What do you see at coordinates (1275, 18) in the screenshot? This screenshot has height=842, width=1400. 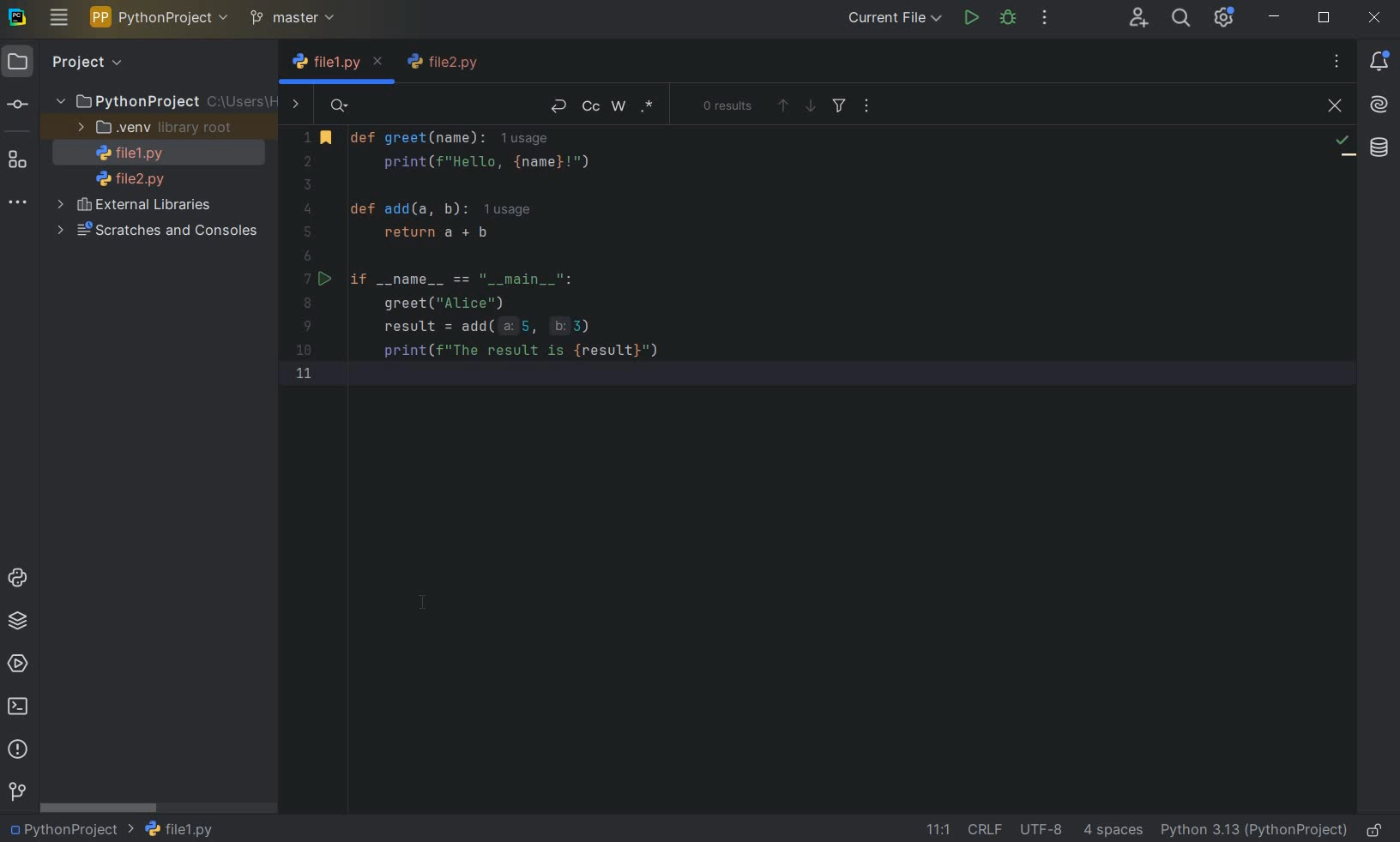 I see `MINIMIZE` at bounding box center [1275, 18].